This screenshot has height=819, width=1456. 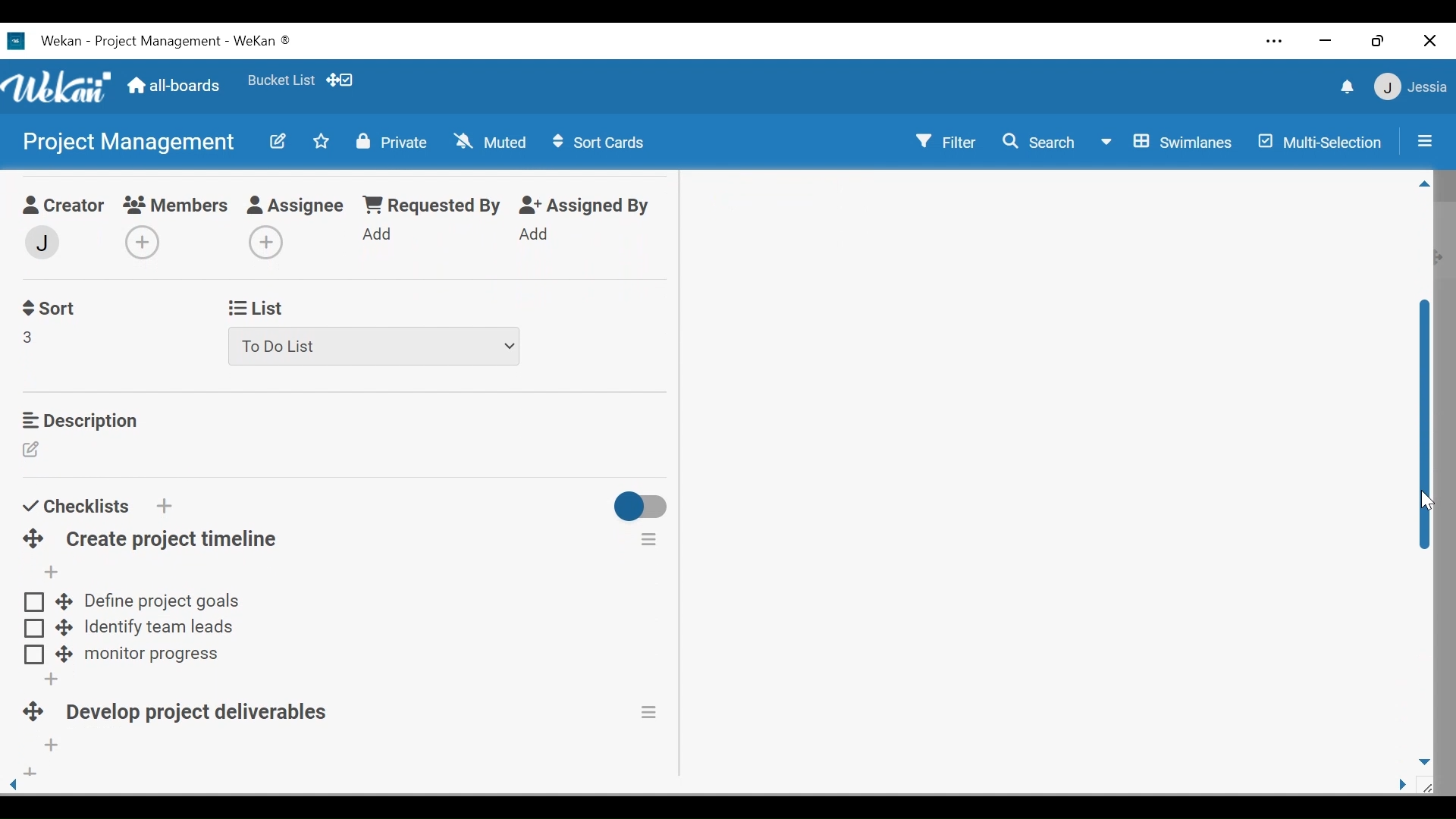 I want to click on cursor, so click(x=1423, y=503).